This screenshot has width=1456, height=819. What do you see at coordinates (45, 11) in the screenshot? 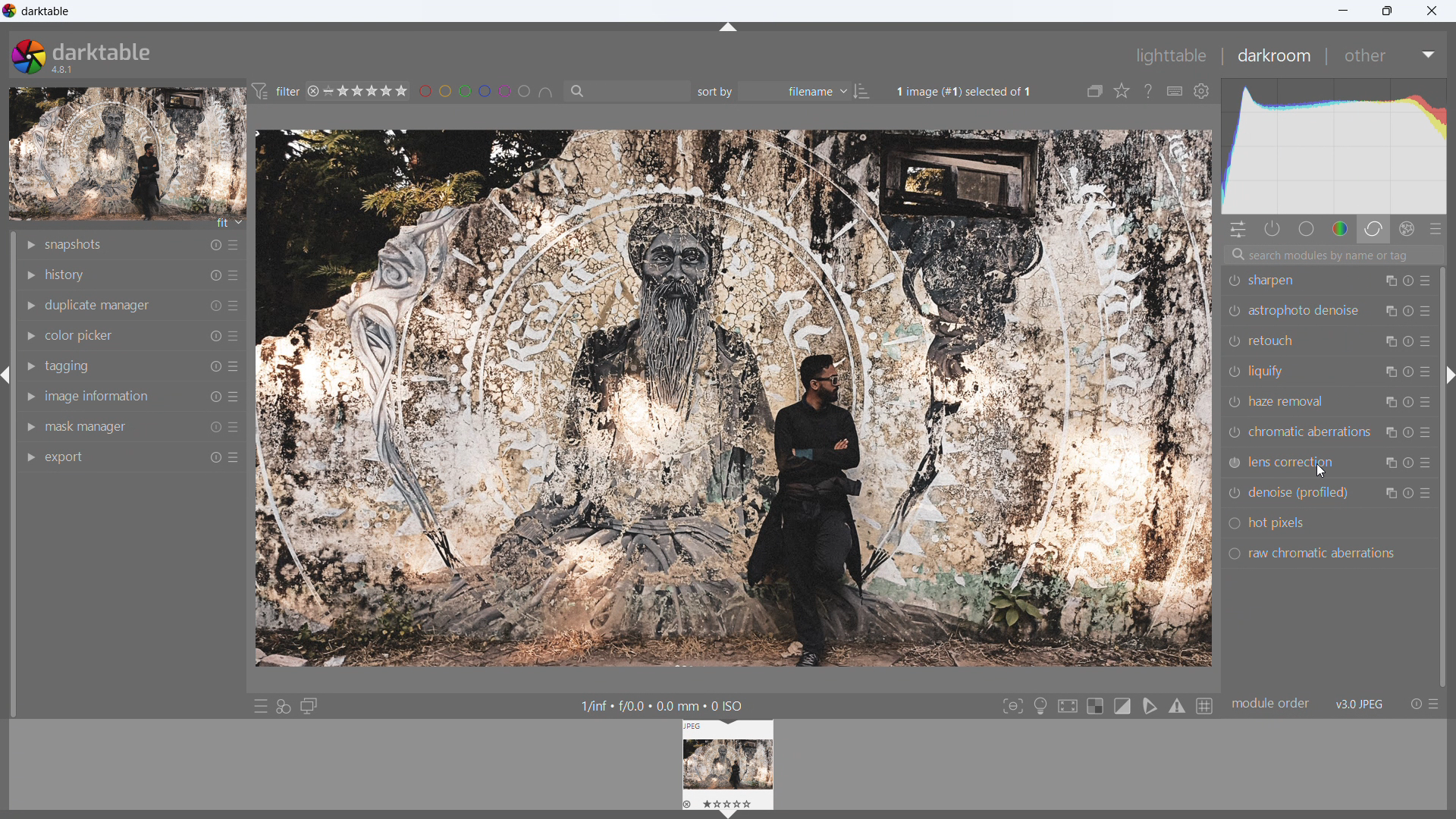
I see `title` at bounding box center [45, 11].